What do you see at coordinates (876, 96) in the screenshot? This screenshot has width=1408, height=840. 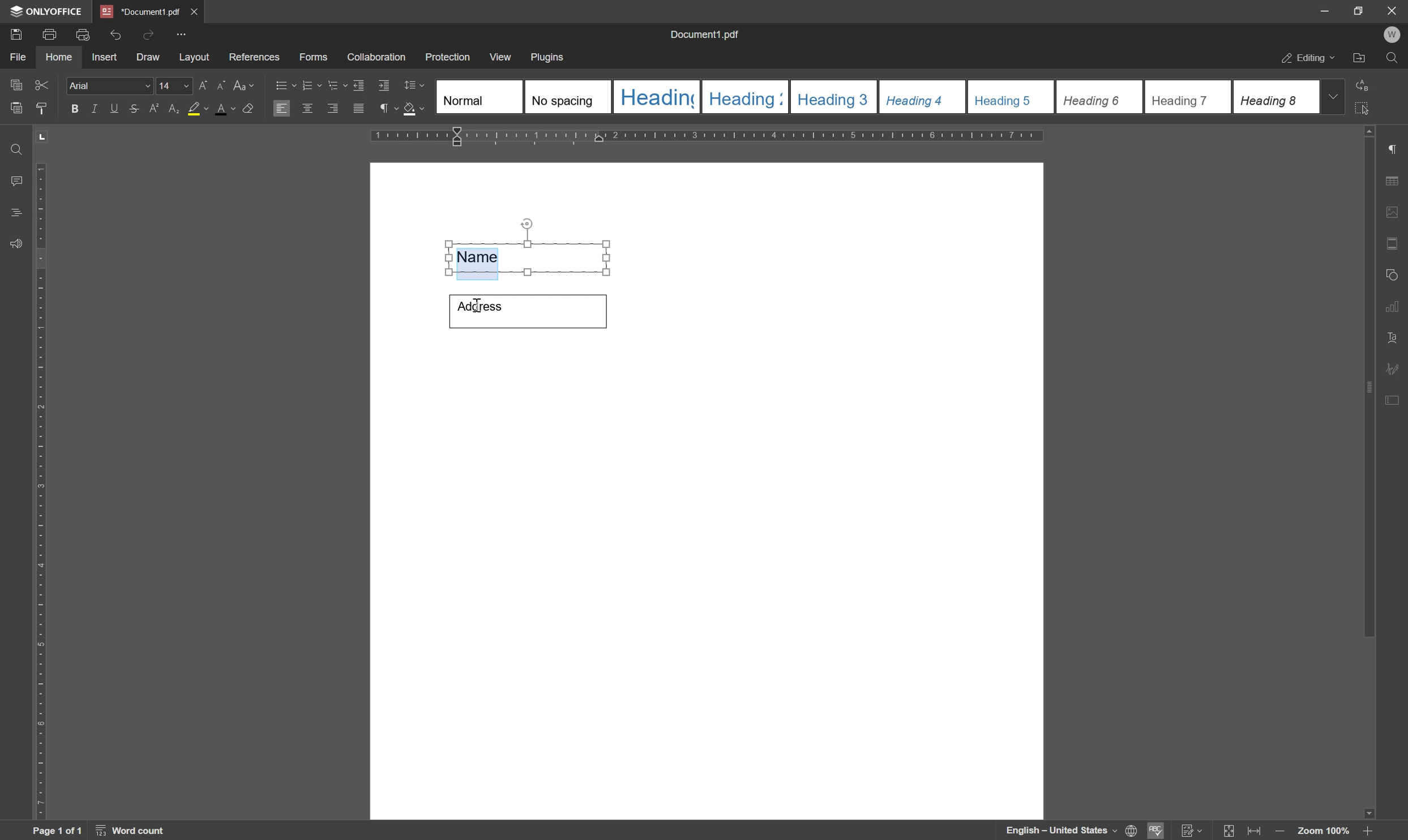 I see `Type of headings` at bounding box center [876, 96].